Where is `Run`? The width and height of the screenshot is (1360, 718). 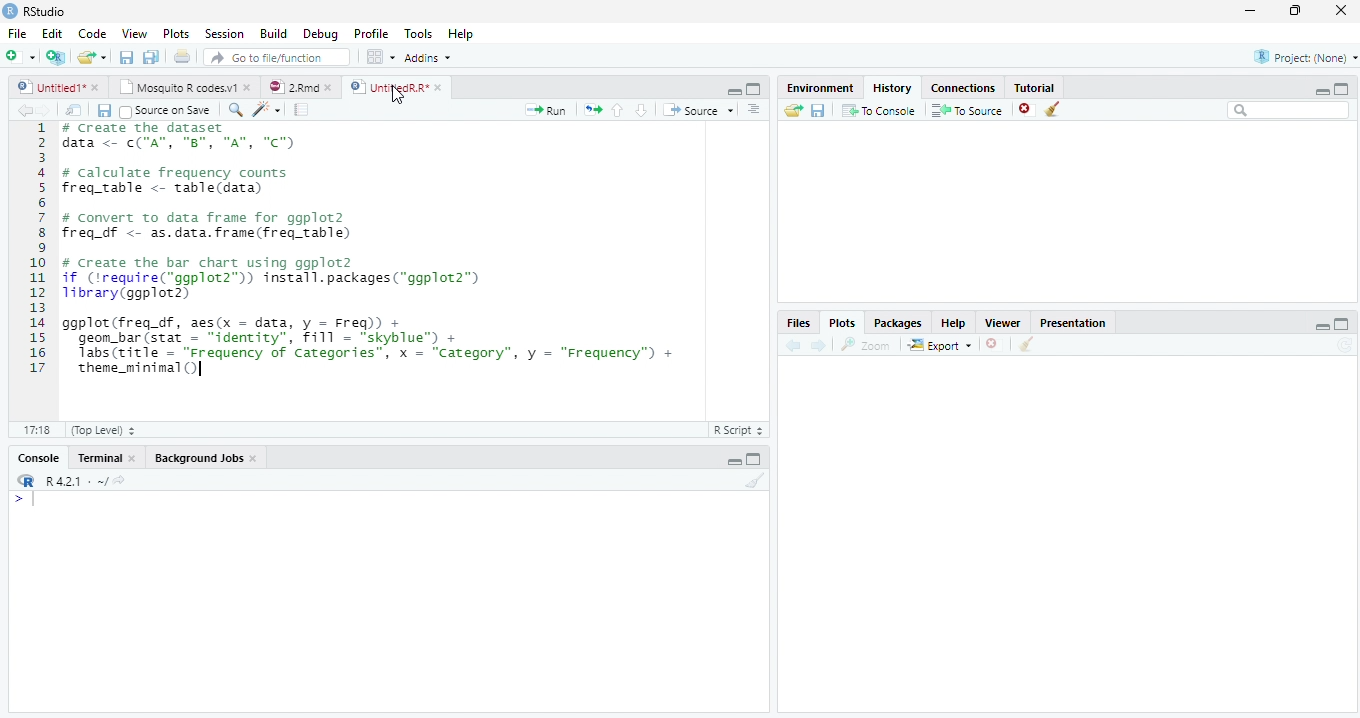
Run is located at coordinates (549, 110).